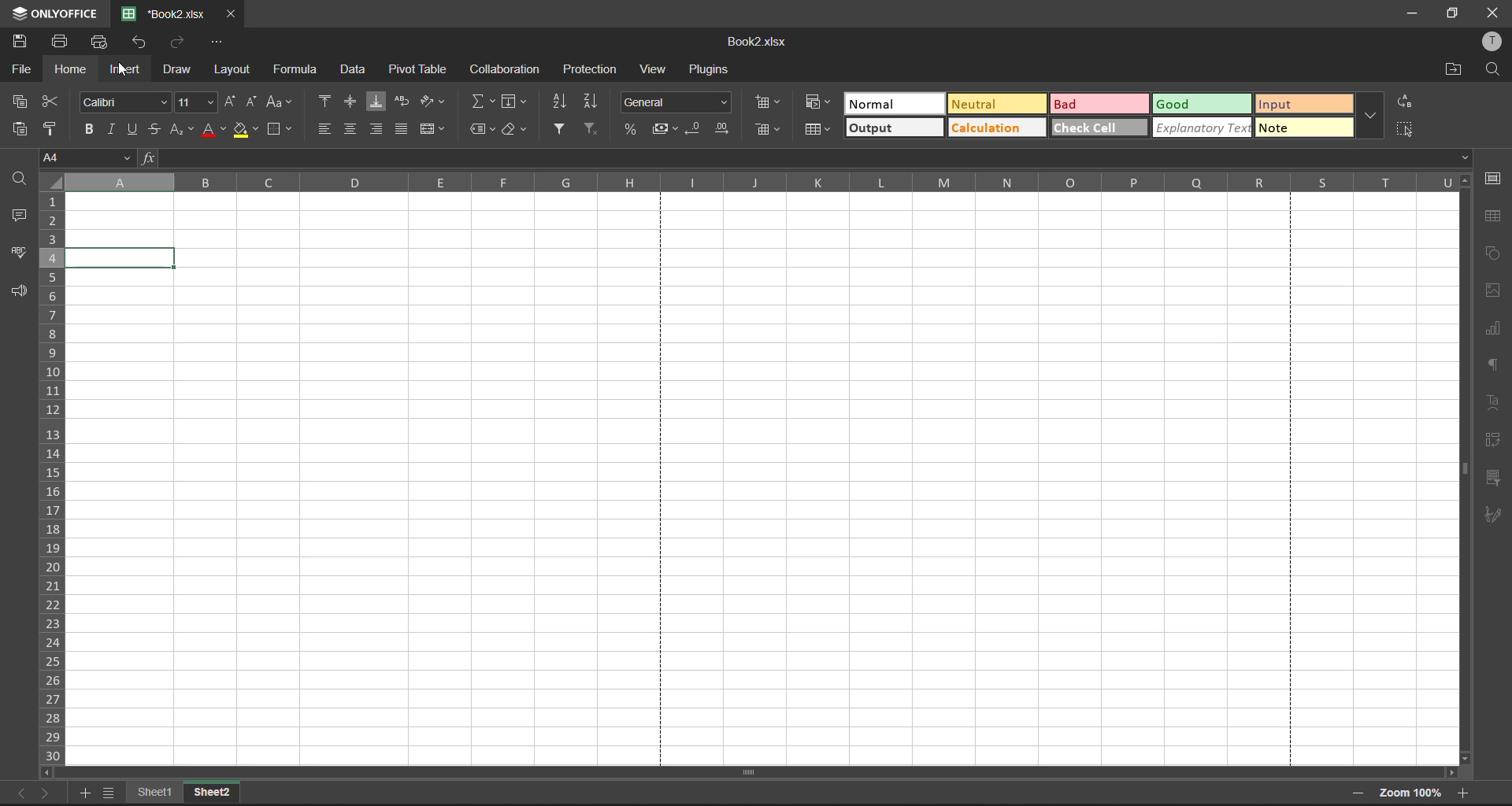  What do you see at coordinates (1466, 183) in the screenshot?
I see `scroll up` at bounding box center [1466, 183].